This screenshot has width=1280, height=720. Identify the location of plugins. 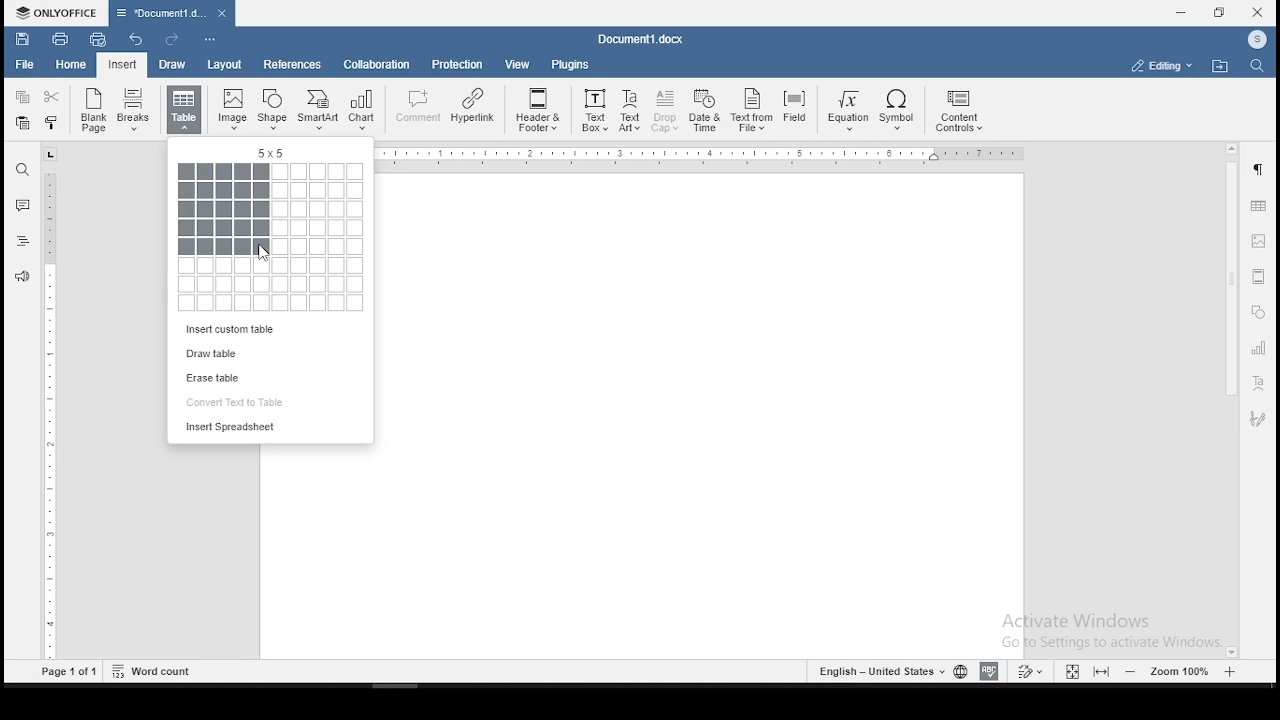
(571, 64).